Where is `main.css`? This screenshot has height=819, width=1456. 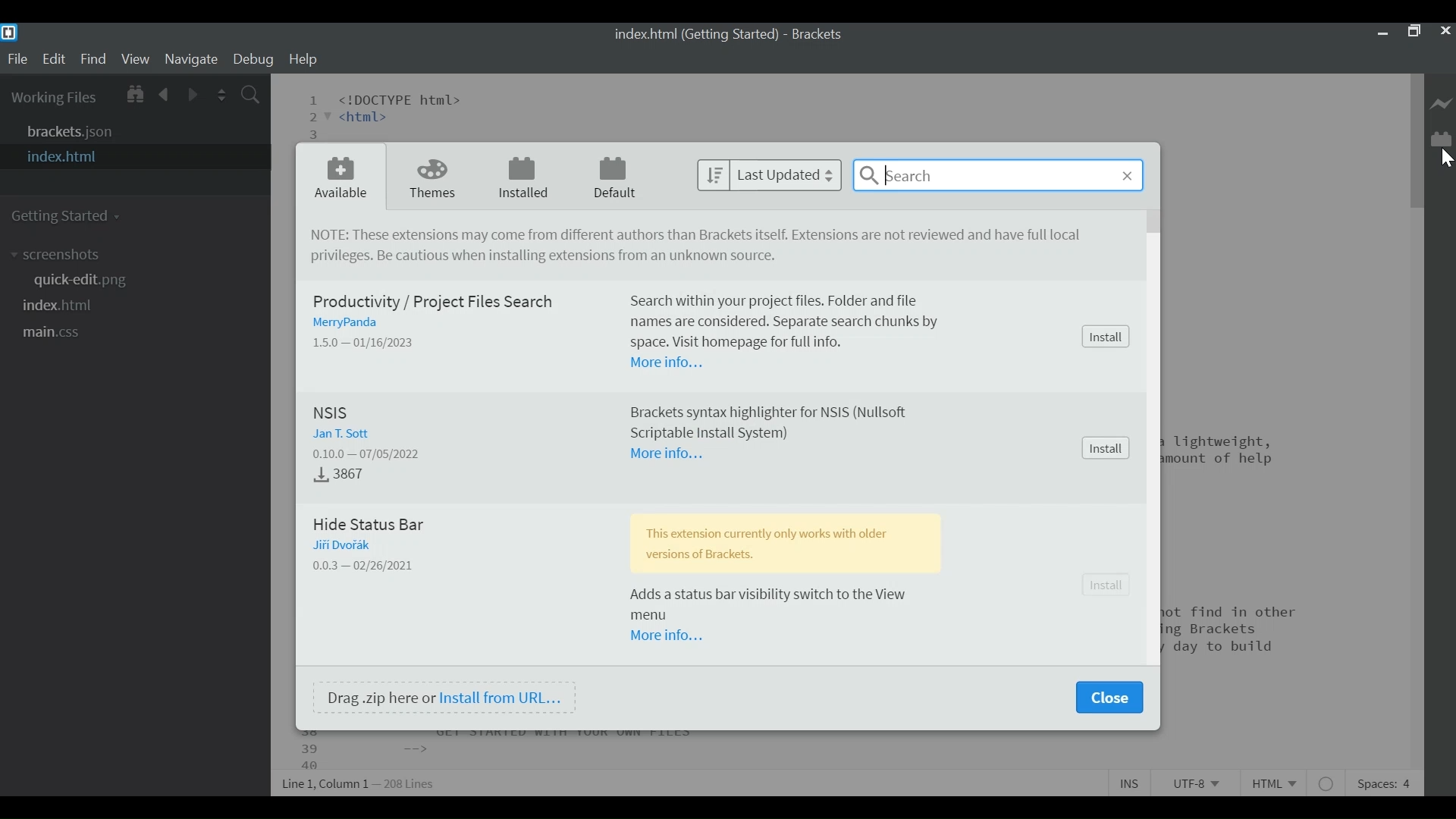
main.css is located at coordinates (66, 334).